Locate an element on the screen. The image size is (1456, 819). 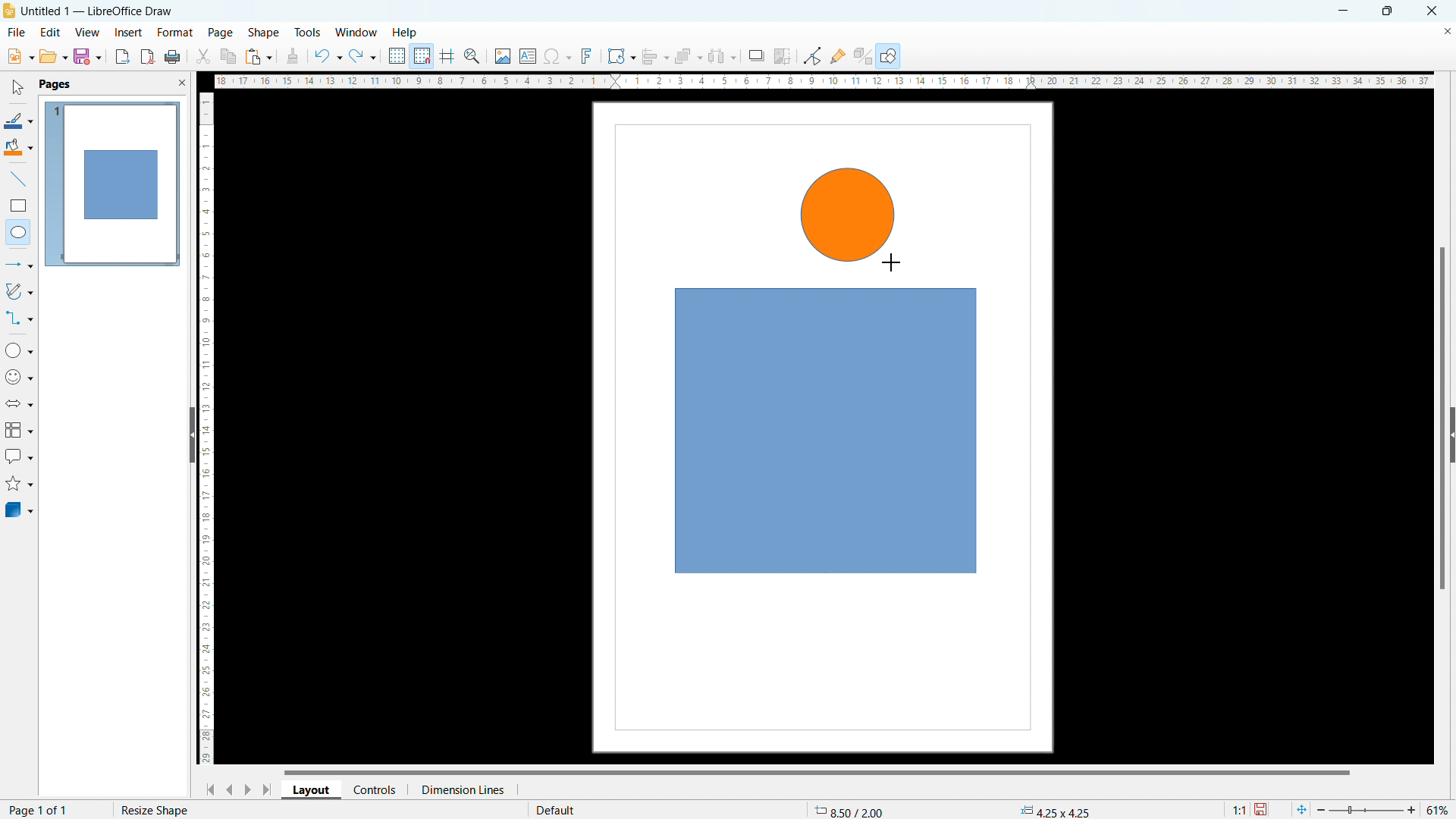
open is located at coordinates (53, 56).